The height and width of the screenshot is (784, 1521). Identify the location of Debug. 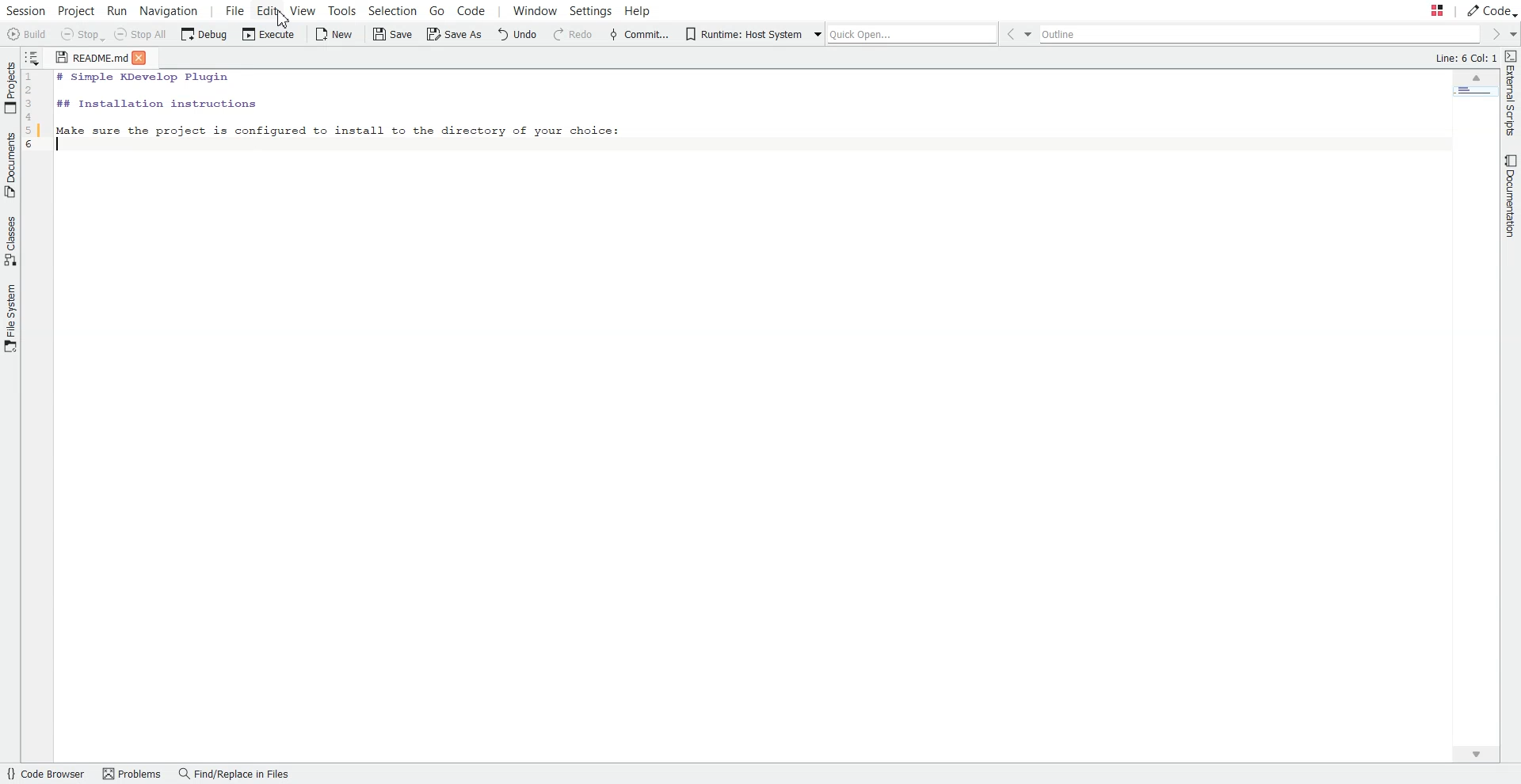
(204, 35).